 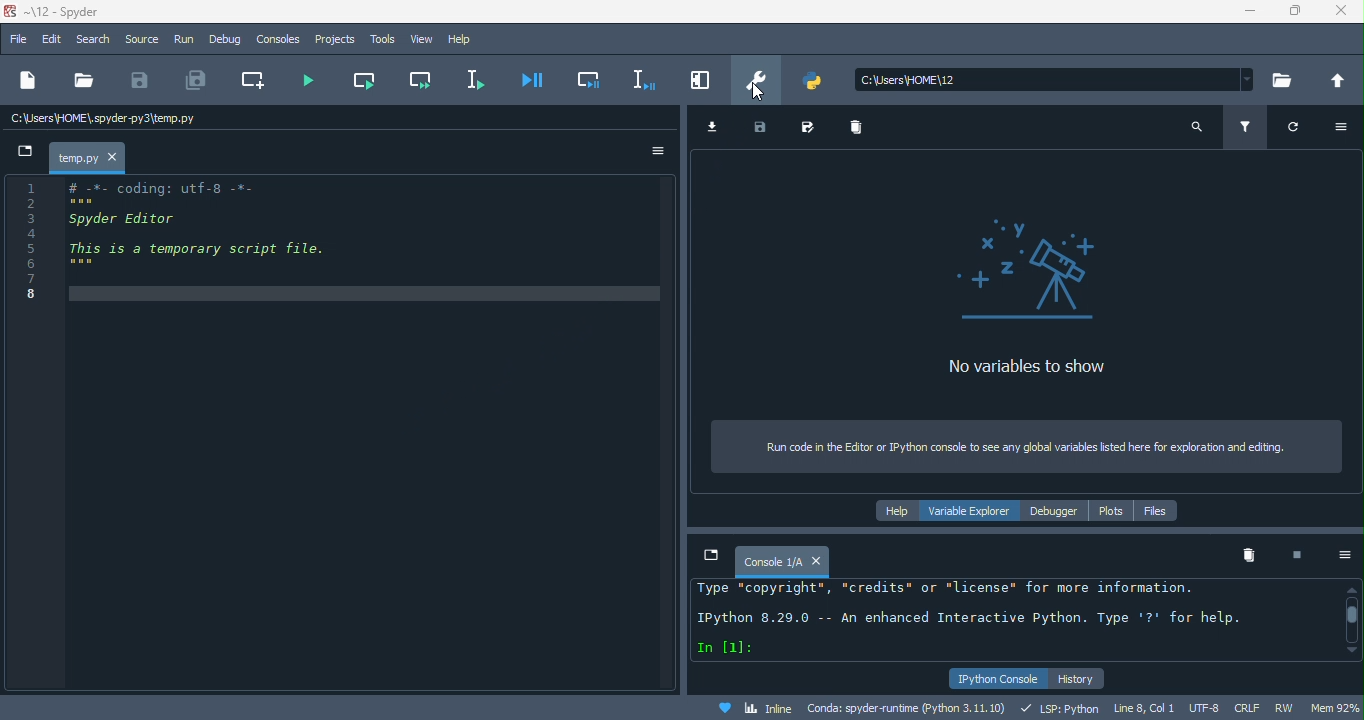 I want to click on run file, so click(x=317, y=81).